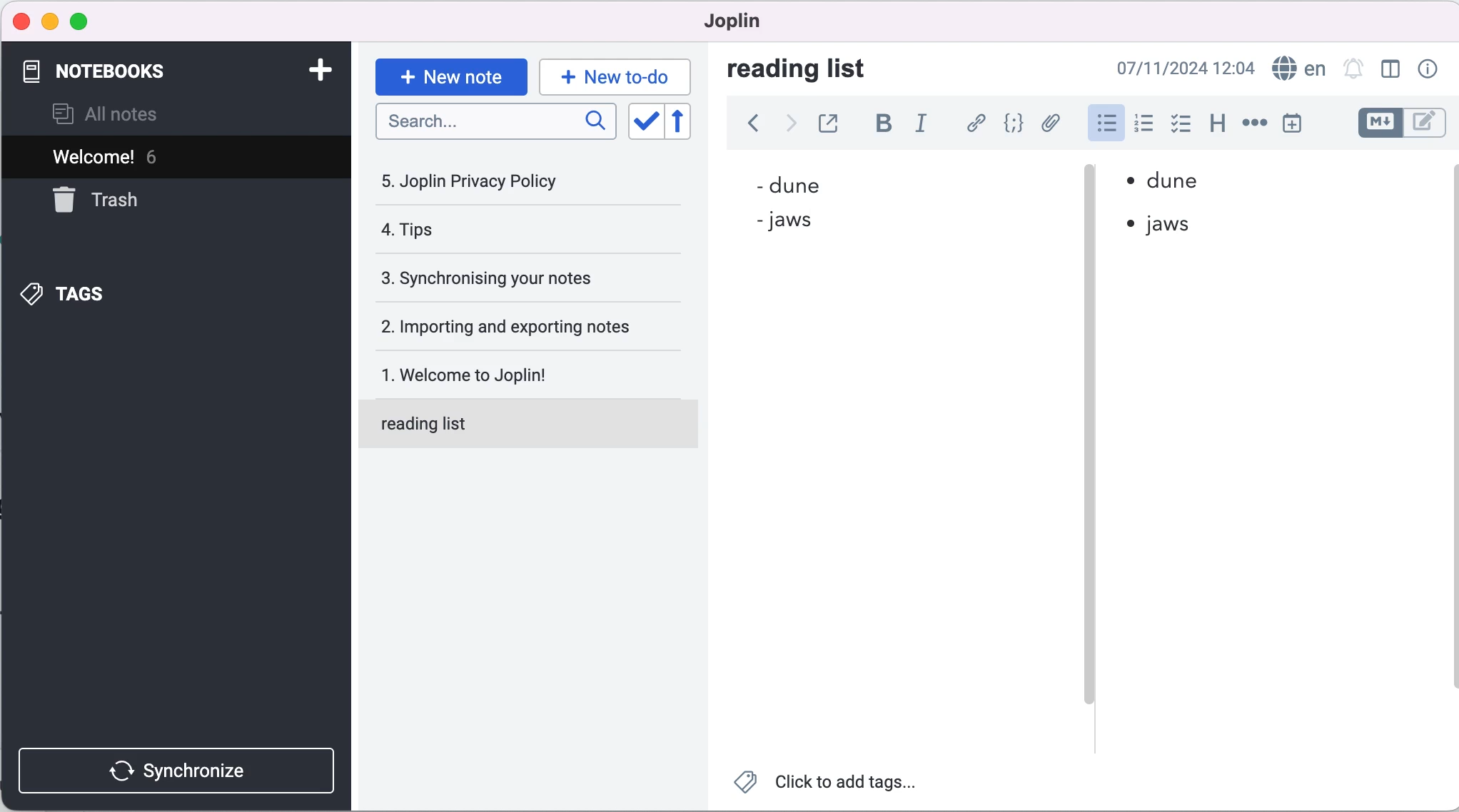  Describe the element at coordinates (884, 123) in the screenshot. I see `bold` at that location.